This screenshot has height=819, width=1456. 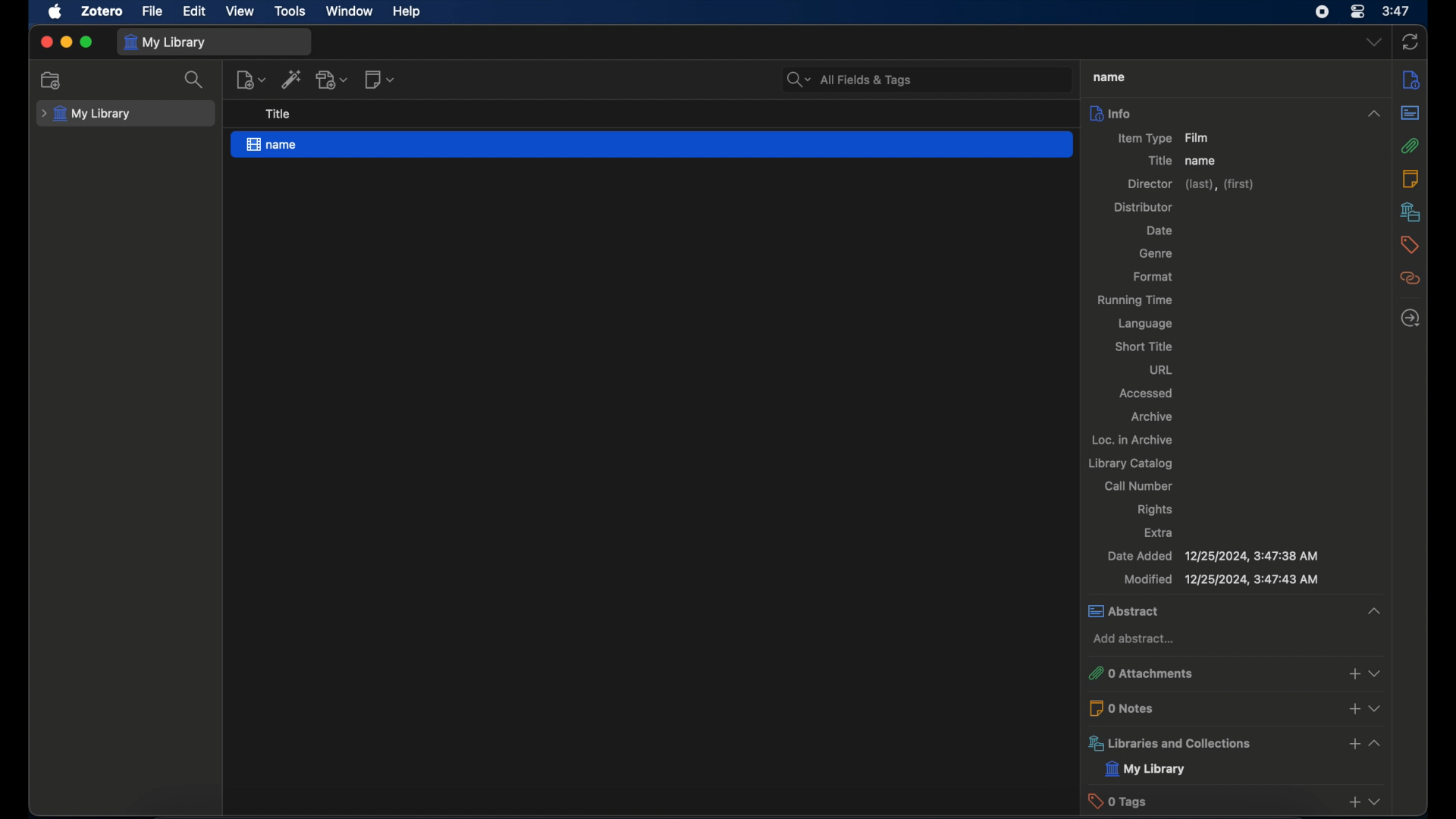 I want to click on new item, so click(x=249, y=80).